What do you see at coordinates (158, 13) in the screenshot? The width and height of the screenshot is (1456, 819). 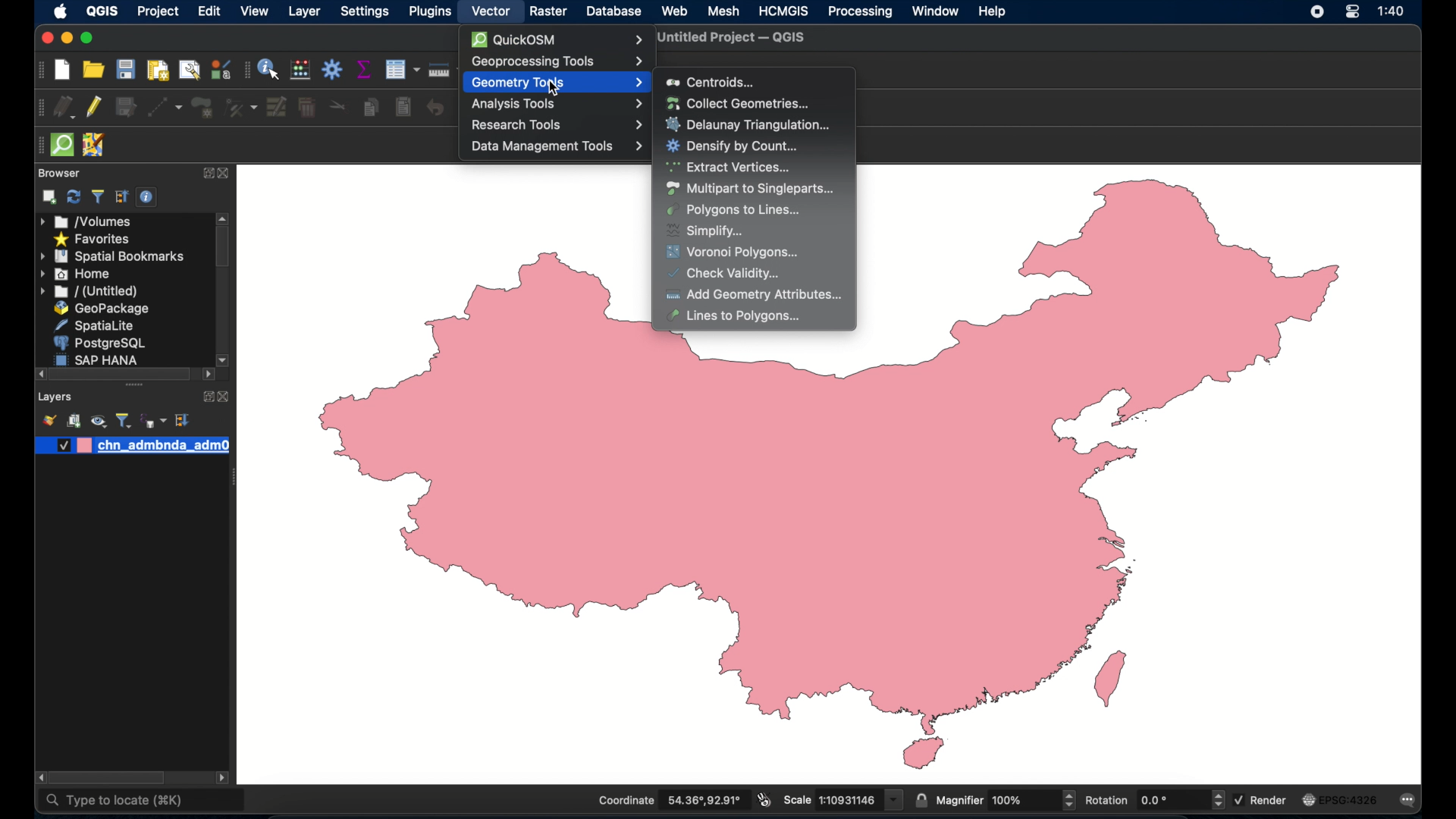 I see `project` at bounding box center [158, 13].